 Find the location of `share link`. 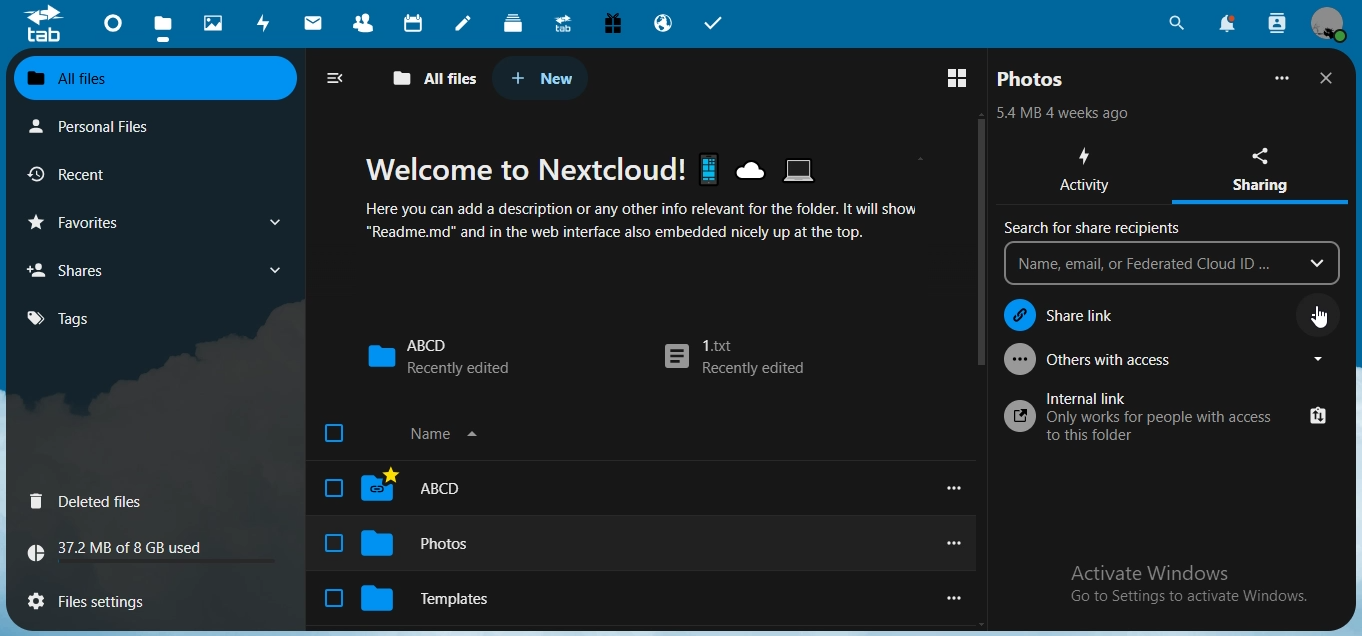

share link is located at coordinates (1169, 316).